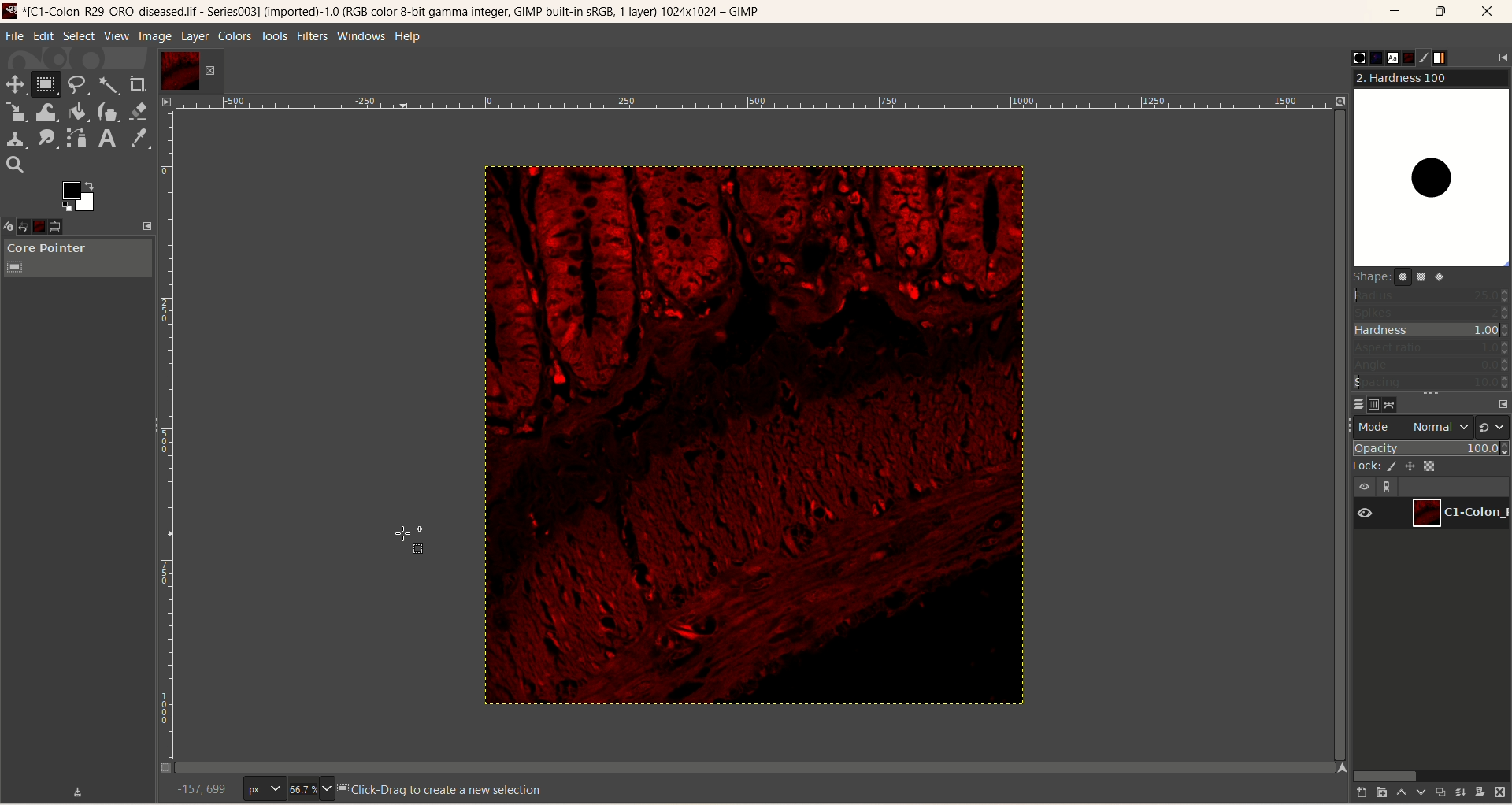 Image resolution: width=1512 pixels, height=805 pixels. I want to click on text tool, so click(106, 139).